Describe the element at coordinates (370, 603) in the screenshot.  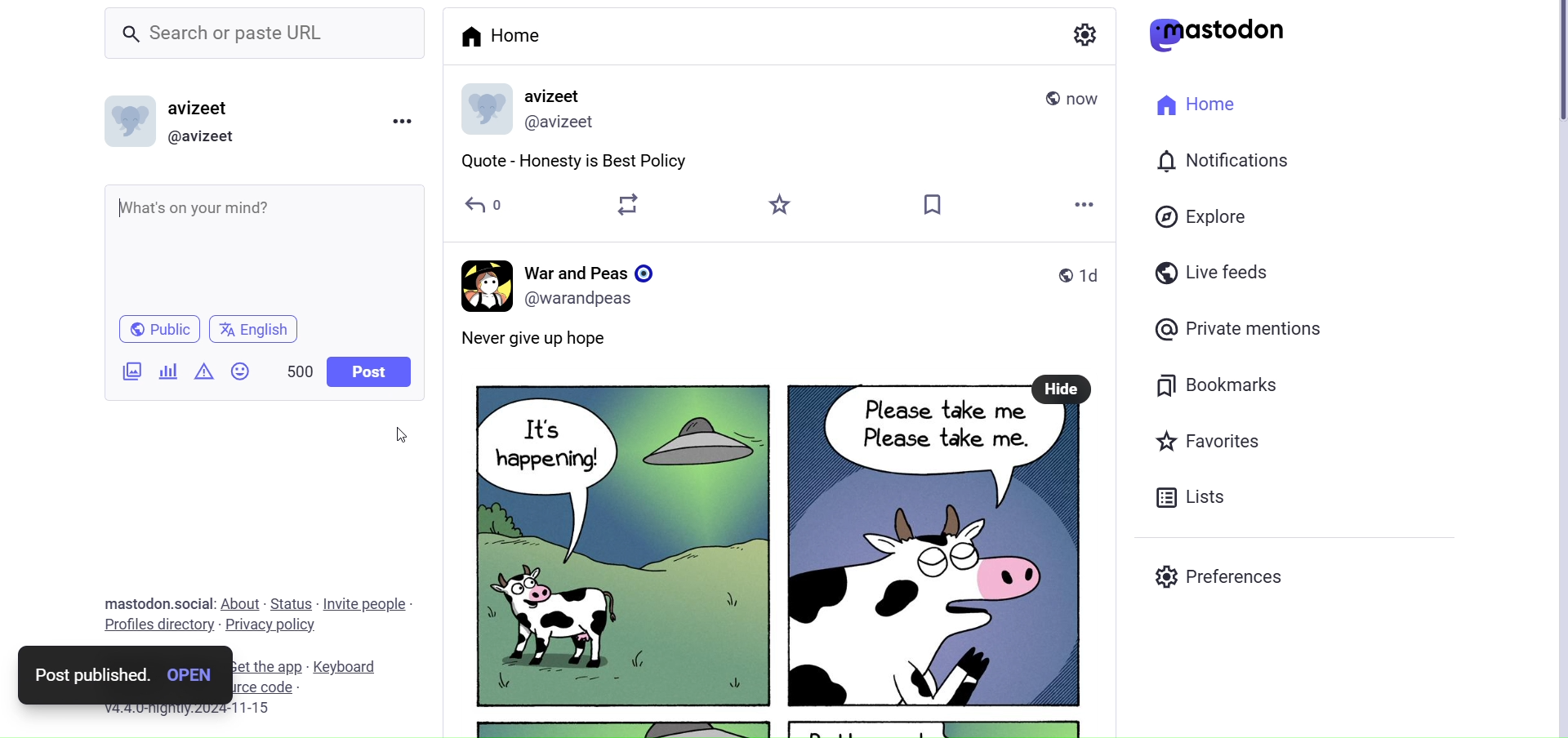
I see `Invite People` at that location.